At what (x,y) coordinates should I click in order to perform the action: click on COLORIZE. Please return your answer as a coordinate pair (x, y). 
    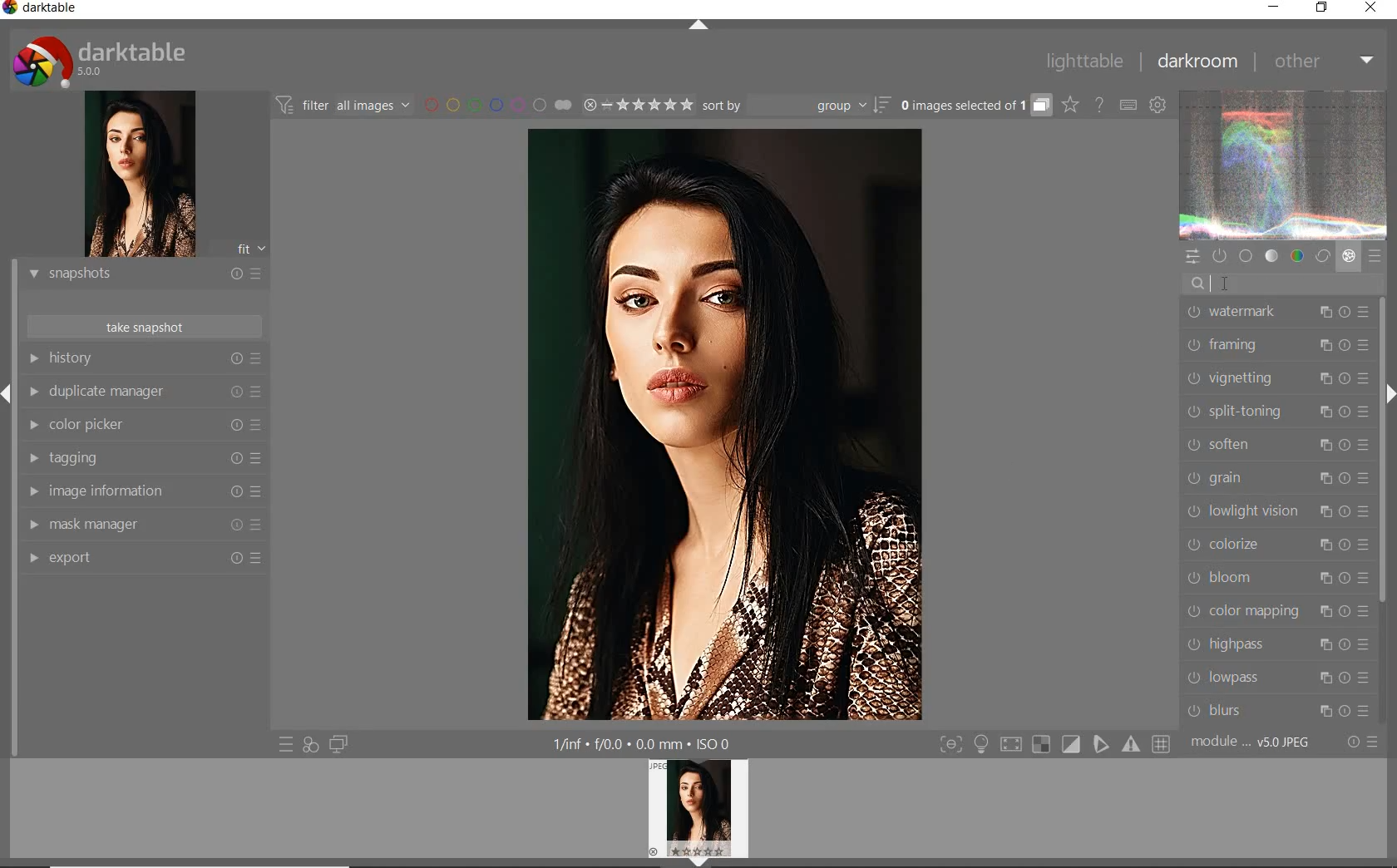
    Looking at the image, I should click on (1273, 545).